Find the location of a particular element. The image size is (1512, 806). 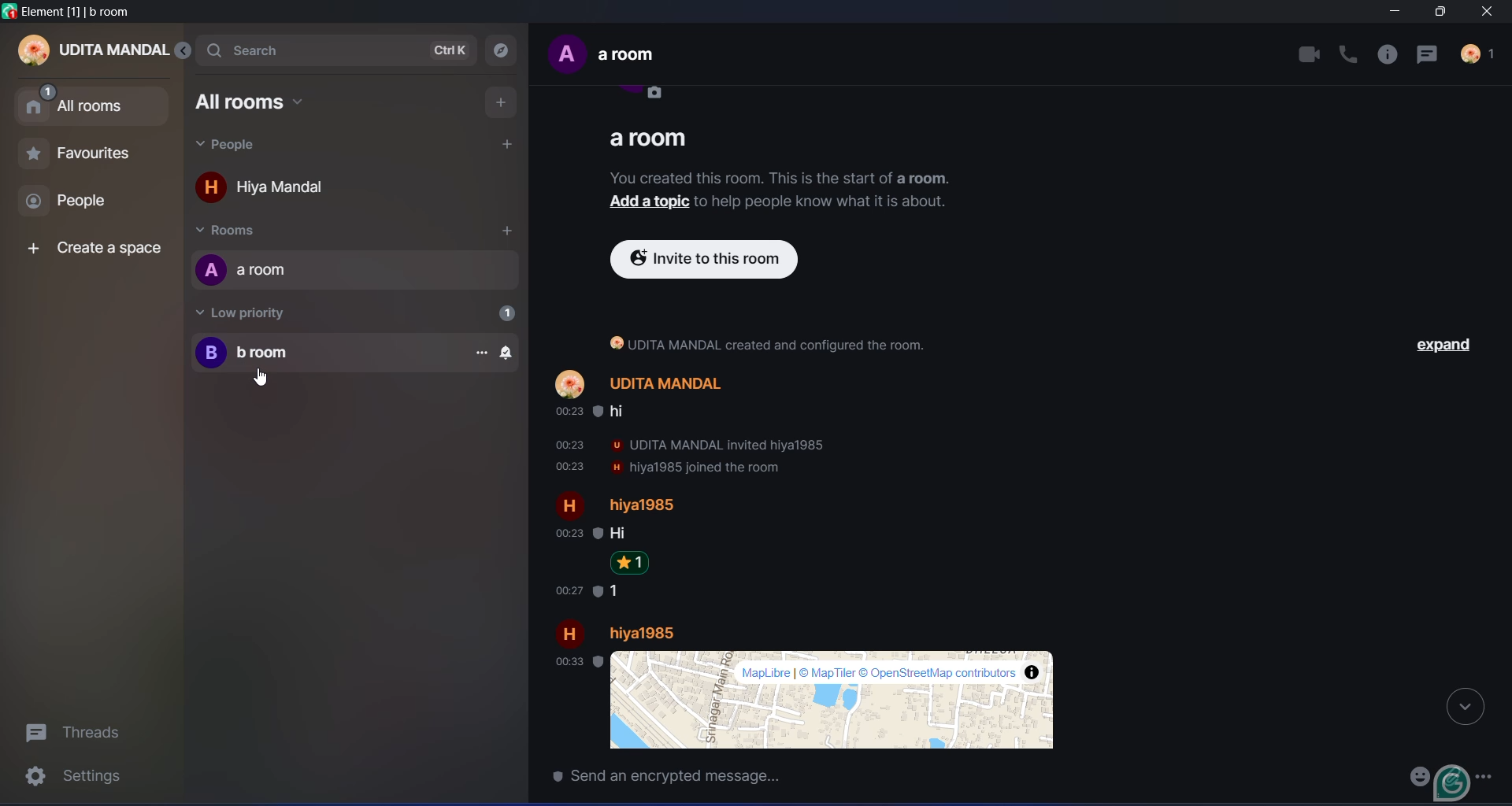

@ UDITA MANDAL created and configured the room. is located at coordinates (780, 342).